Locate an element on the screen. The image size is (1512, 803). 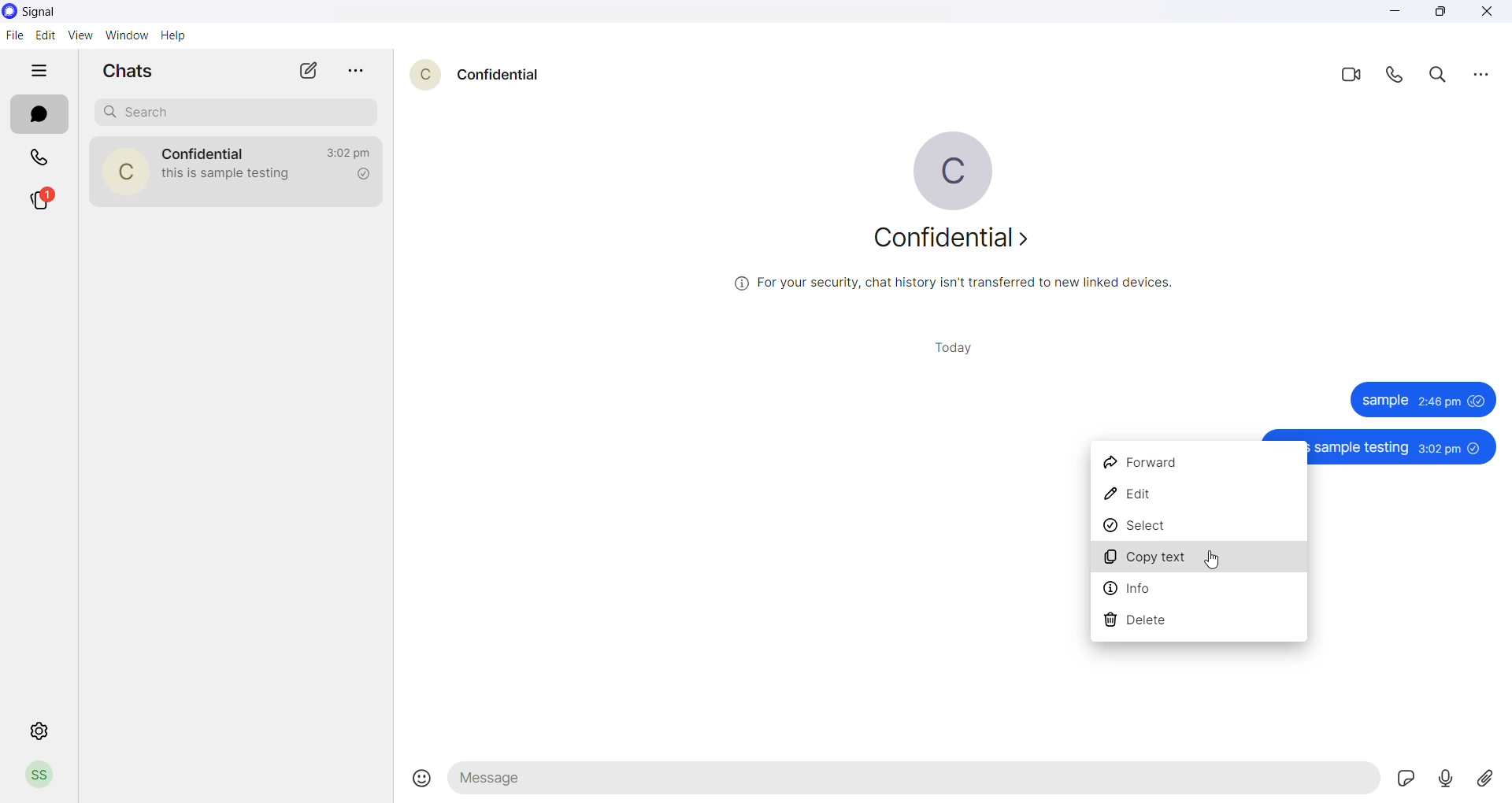
about contact is located at coordinates (957, 242).